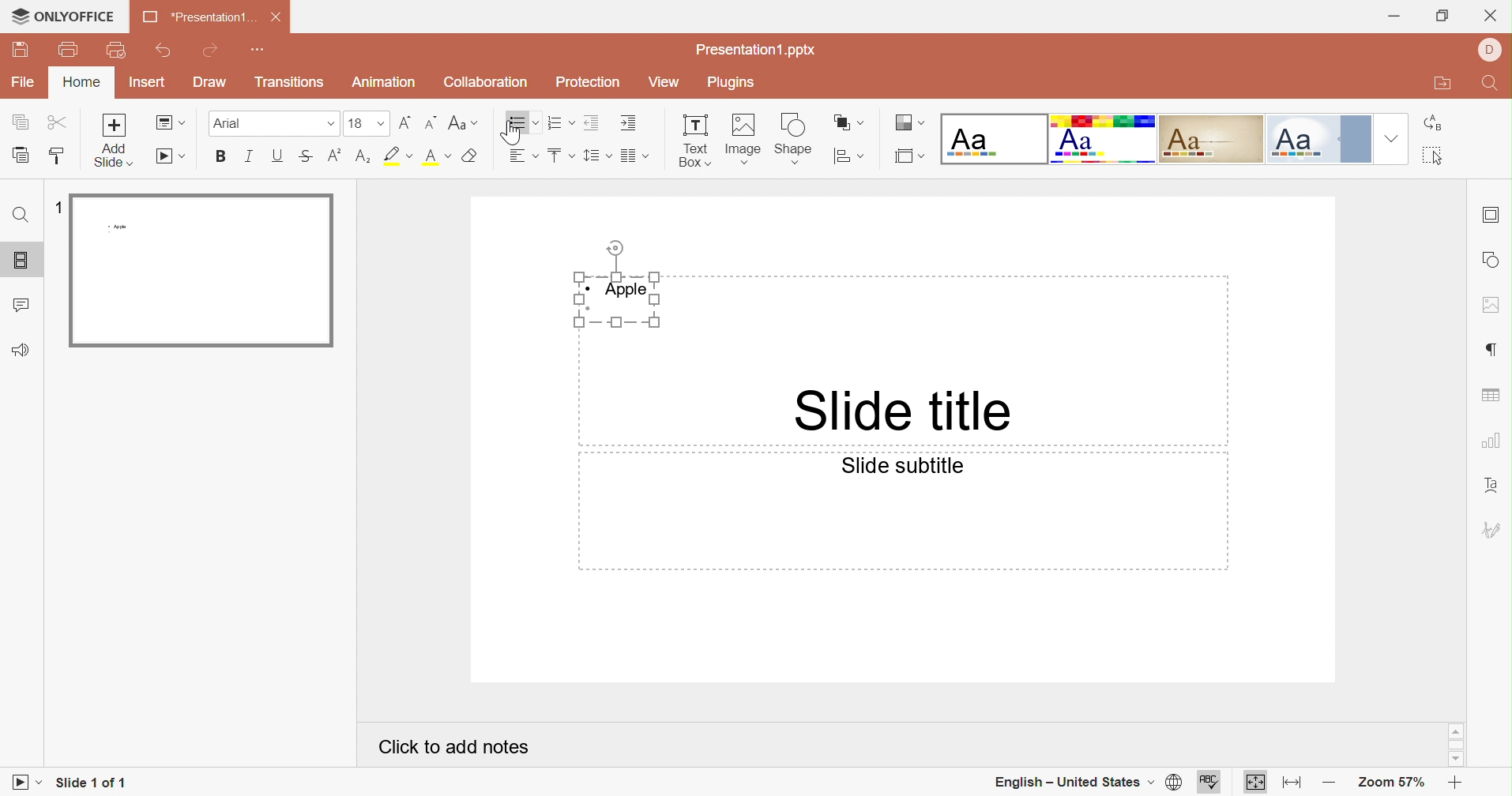  What do you see at coordinates (81, 84) in the screenshot?
I see `Home` at bounding box center [81, 84].